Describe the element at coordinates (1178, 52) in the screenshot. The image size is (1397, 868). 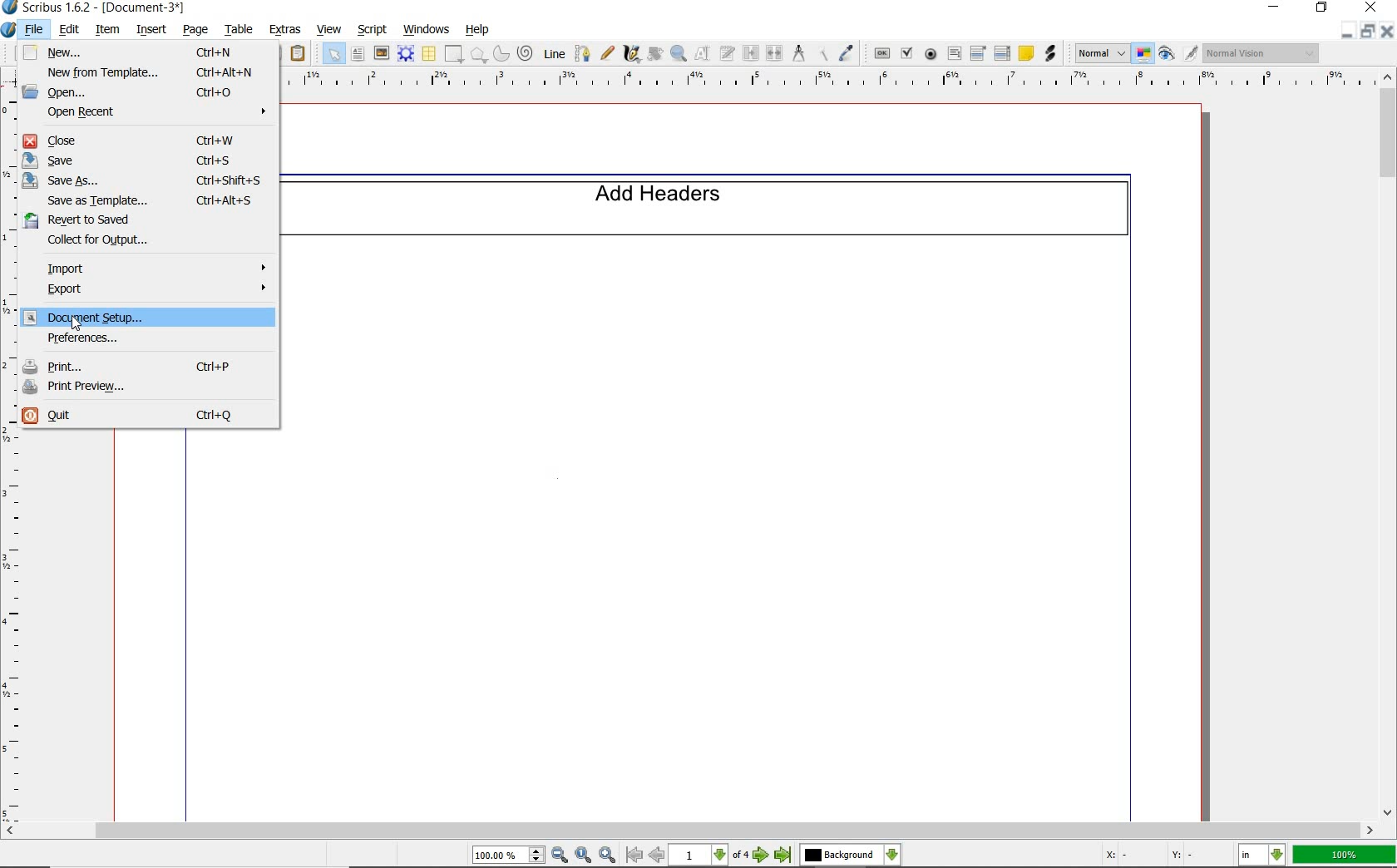
I see `preview mode` at that location.